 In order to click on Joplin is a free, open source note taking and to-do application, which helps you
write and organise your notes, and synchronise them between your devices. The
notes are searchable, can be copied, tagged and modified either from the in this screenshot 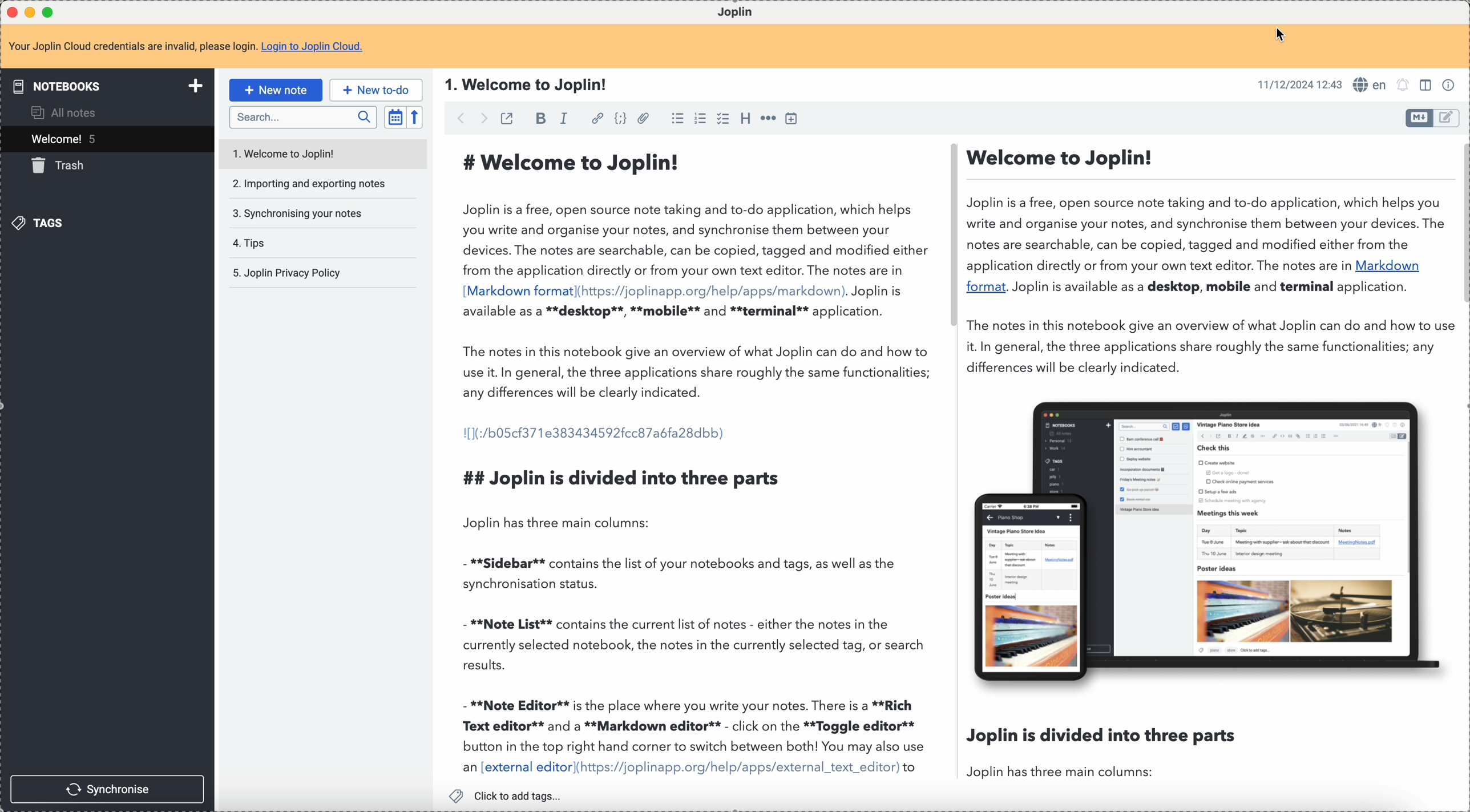, I will do `click(1206, 223)`.